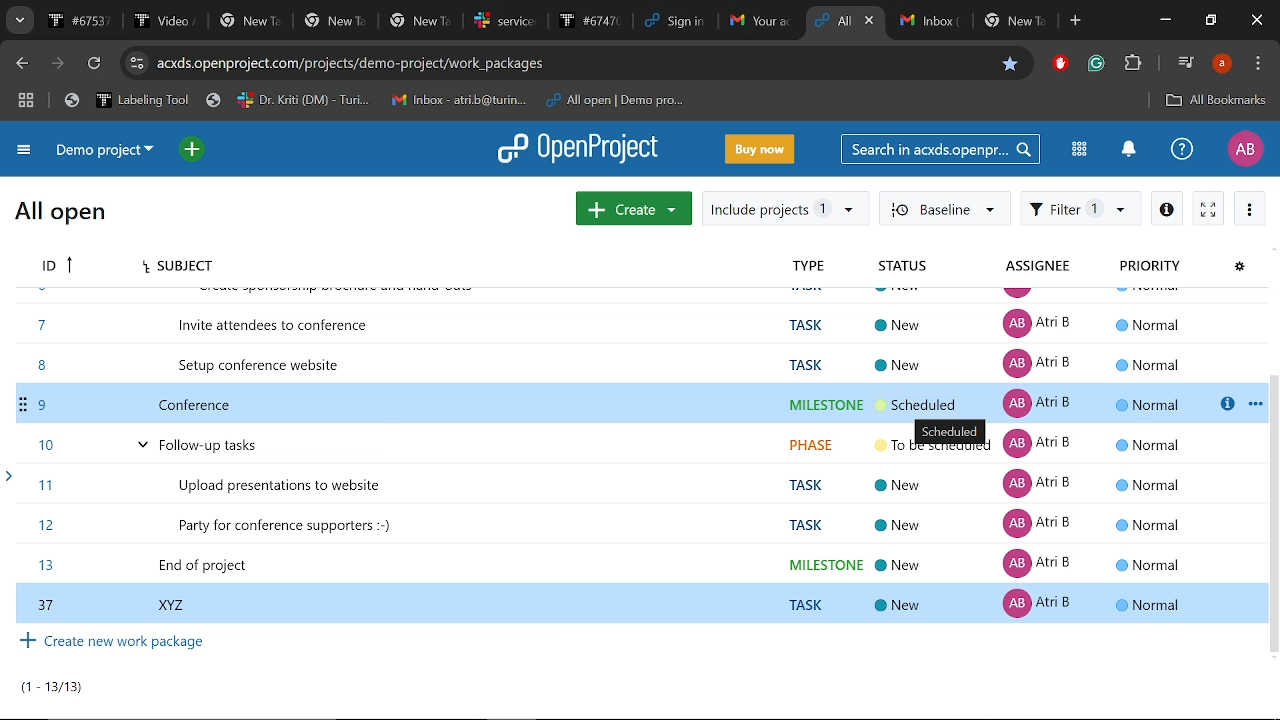  What do you see at coordinates (1167, 208) in the screenshot?
I see `Open details view` at bounding box center [1167, 208].